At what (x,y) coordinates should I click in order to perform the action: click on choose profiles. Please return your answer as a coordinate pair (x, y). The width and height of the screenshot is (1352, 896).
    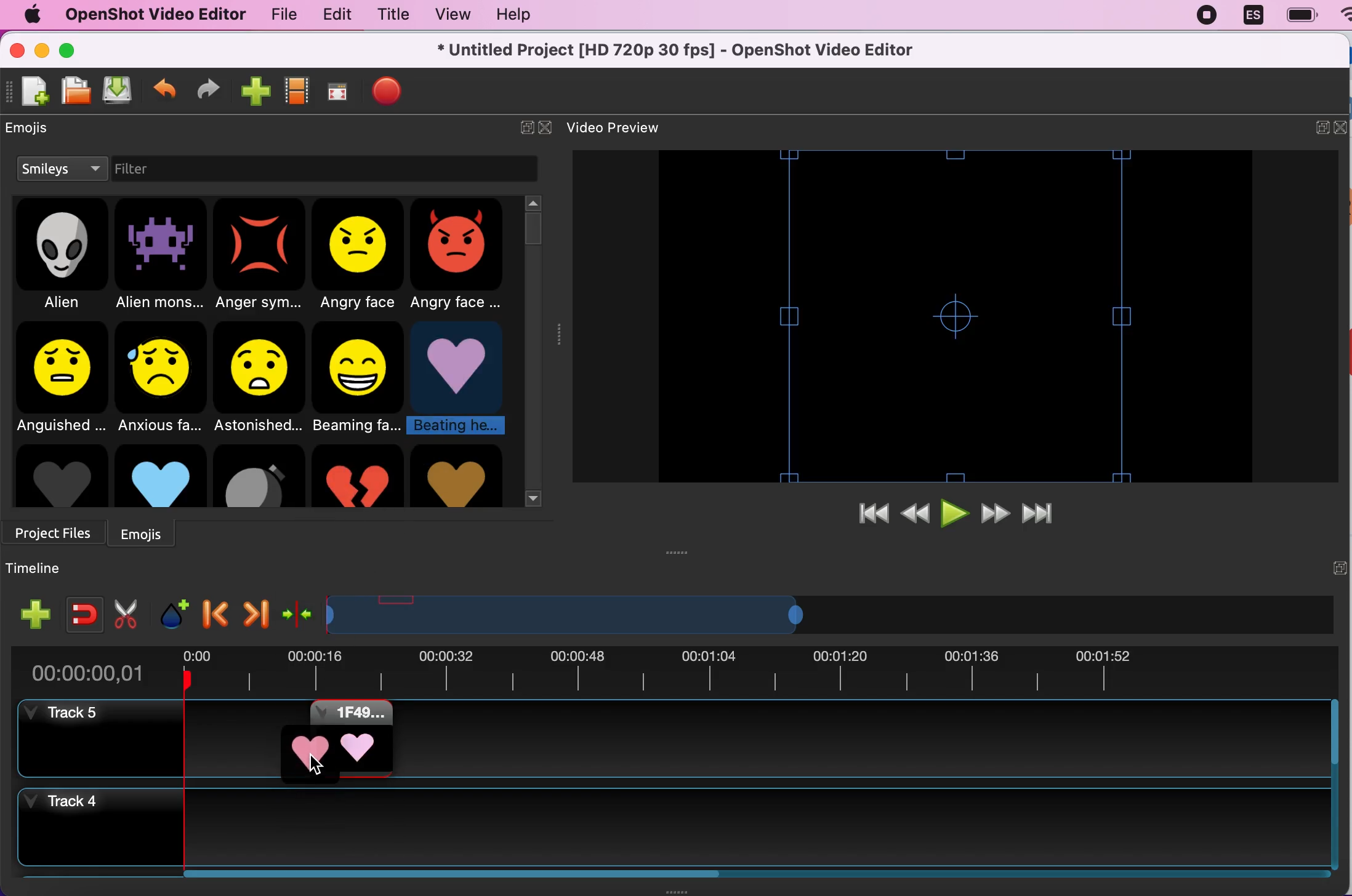
    Looking at the image, I should click on (297, 91).